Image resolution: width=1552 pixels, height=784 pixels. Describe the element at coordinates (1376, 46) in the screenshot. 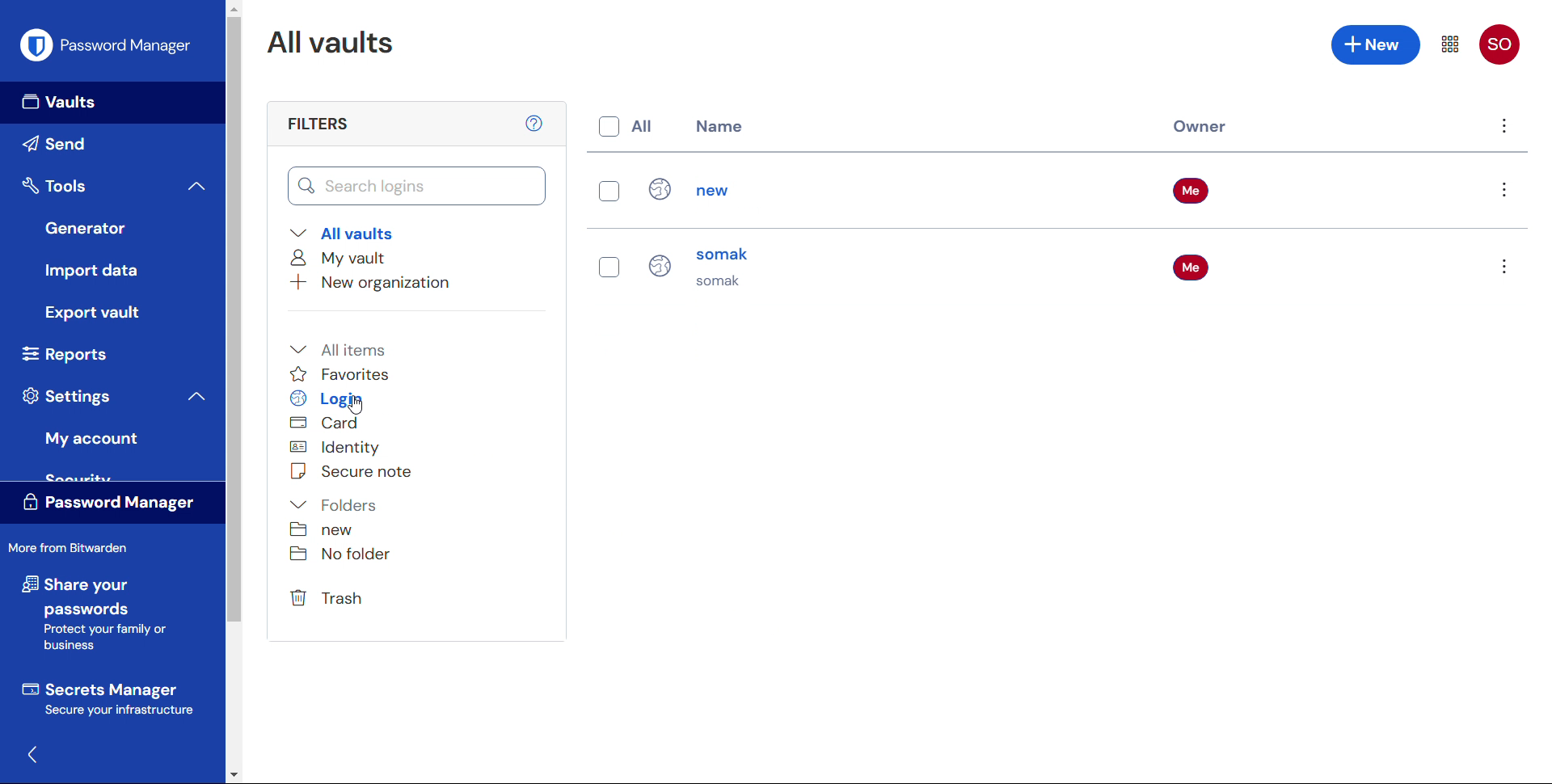

I see `Add new entry ` at that location.